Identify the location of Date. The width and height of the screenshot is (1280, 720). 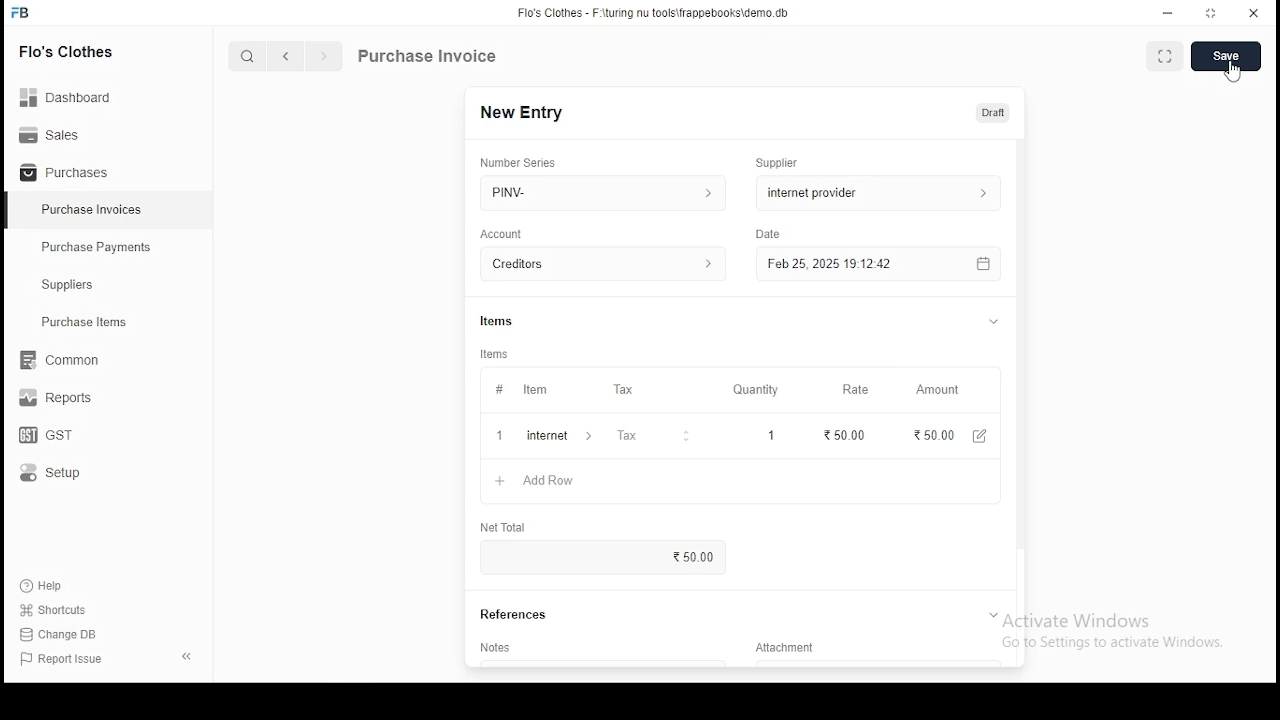
(770, 235).